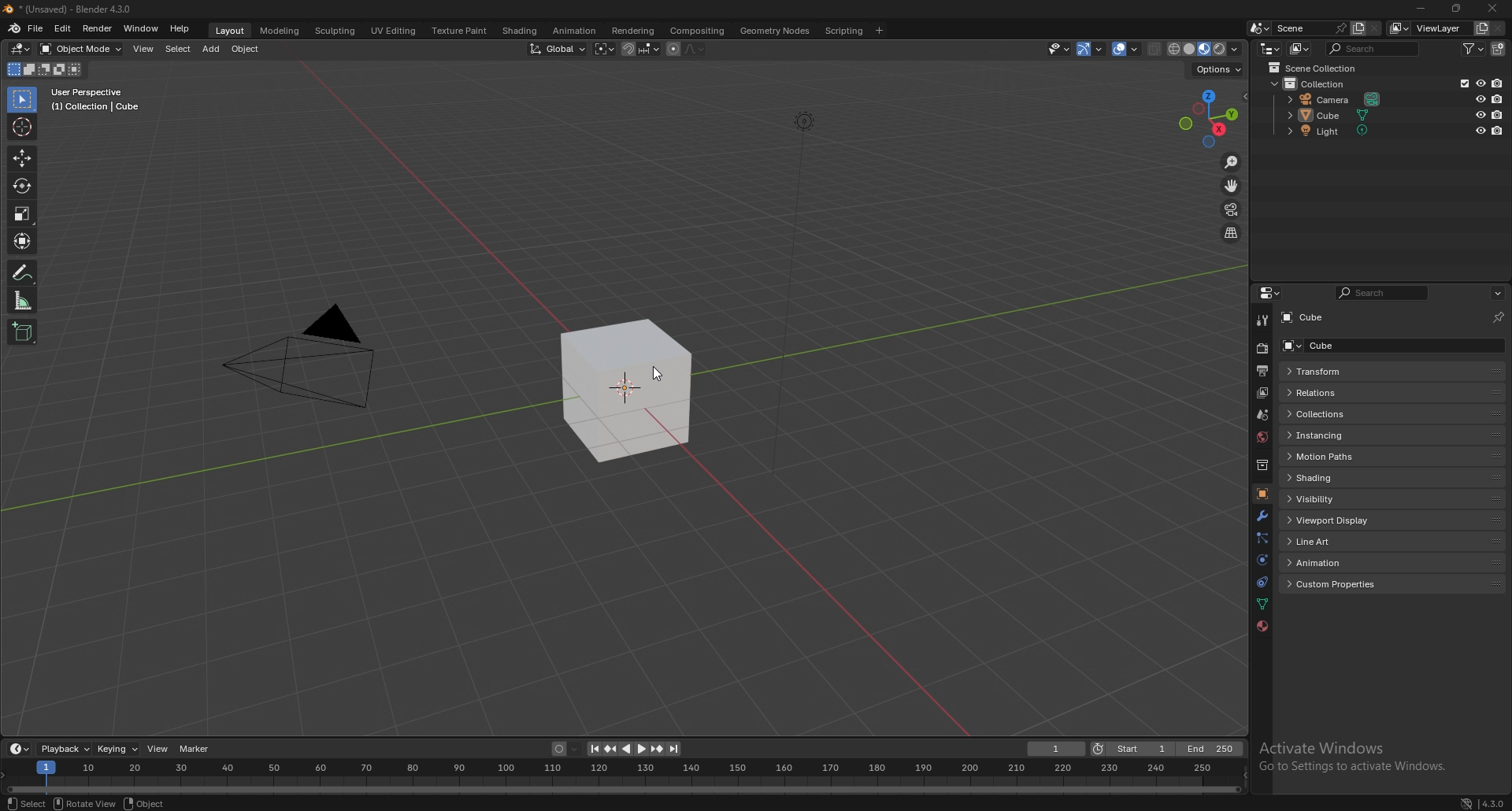  What do you see at coordinates (1262, 537) in the screenshot?
I see `particles` at bounding box center [1262, 537].